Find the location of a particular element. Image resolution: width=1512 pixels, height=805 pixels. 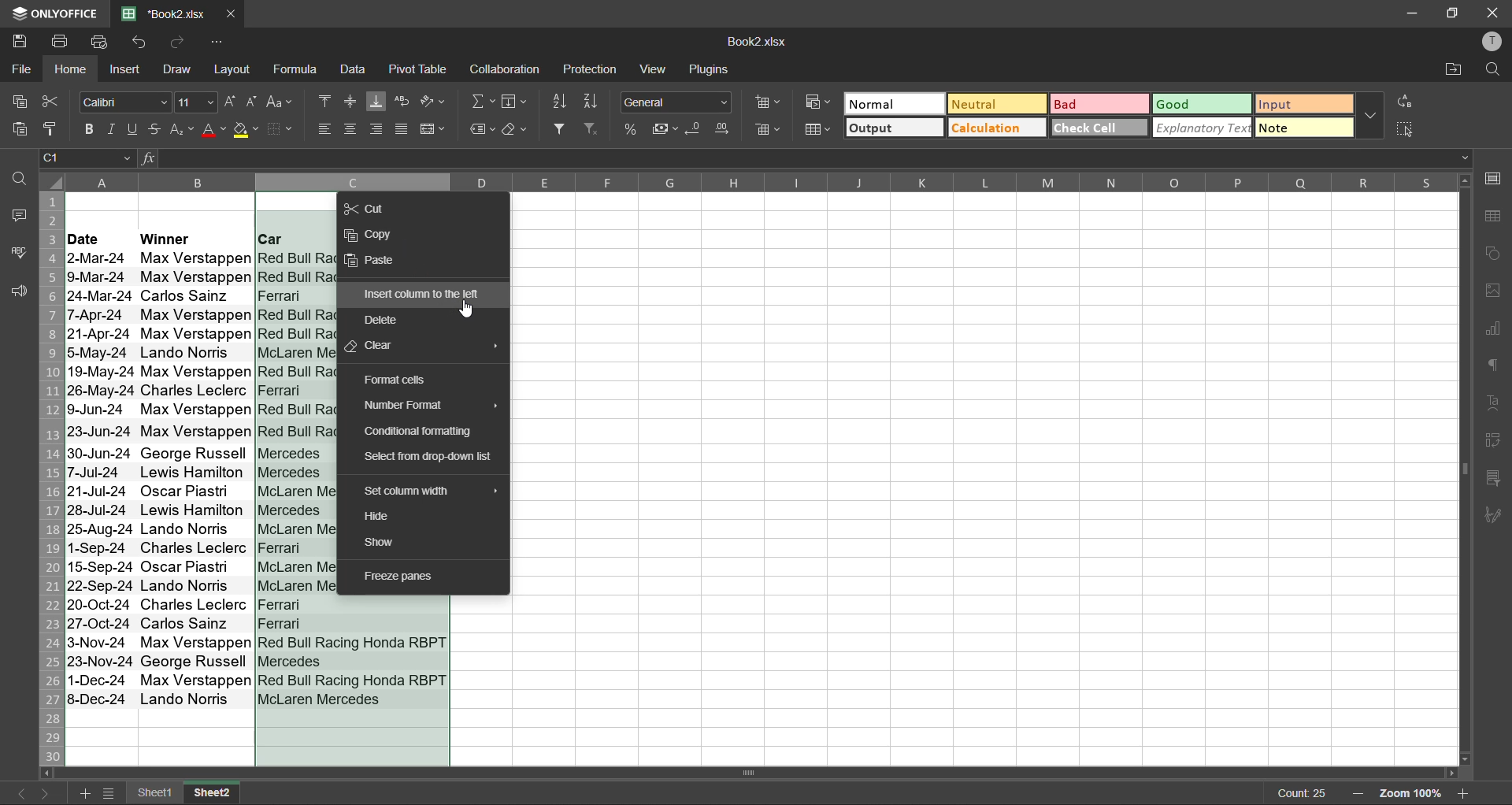

view is located at coordinates (655, 71).